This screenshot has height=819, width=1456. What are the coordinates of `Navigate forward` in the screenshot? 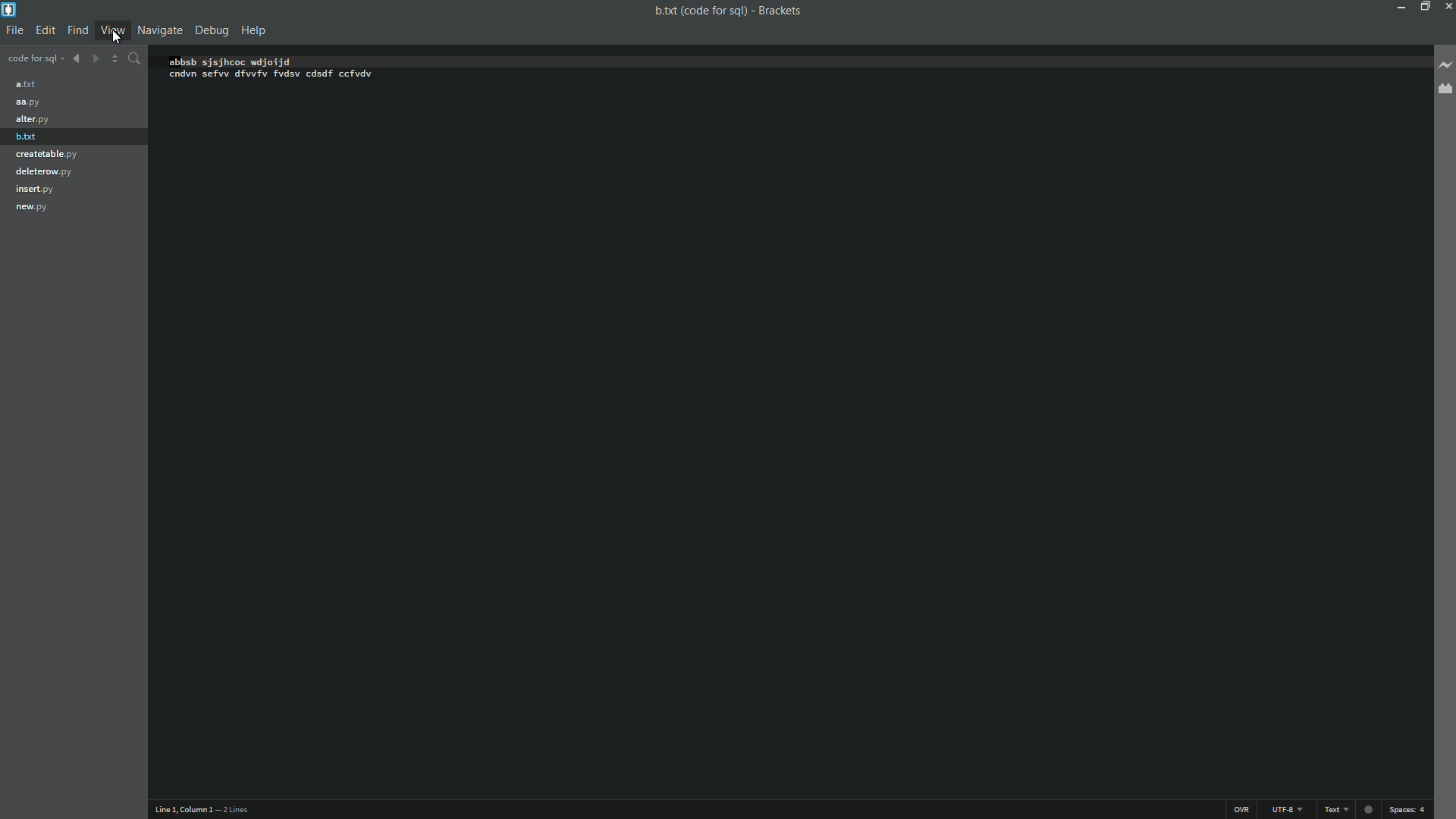 It's located at (99, 58).